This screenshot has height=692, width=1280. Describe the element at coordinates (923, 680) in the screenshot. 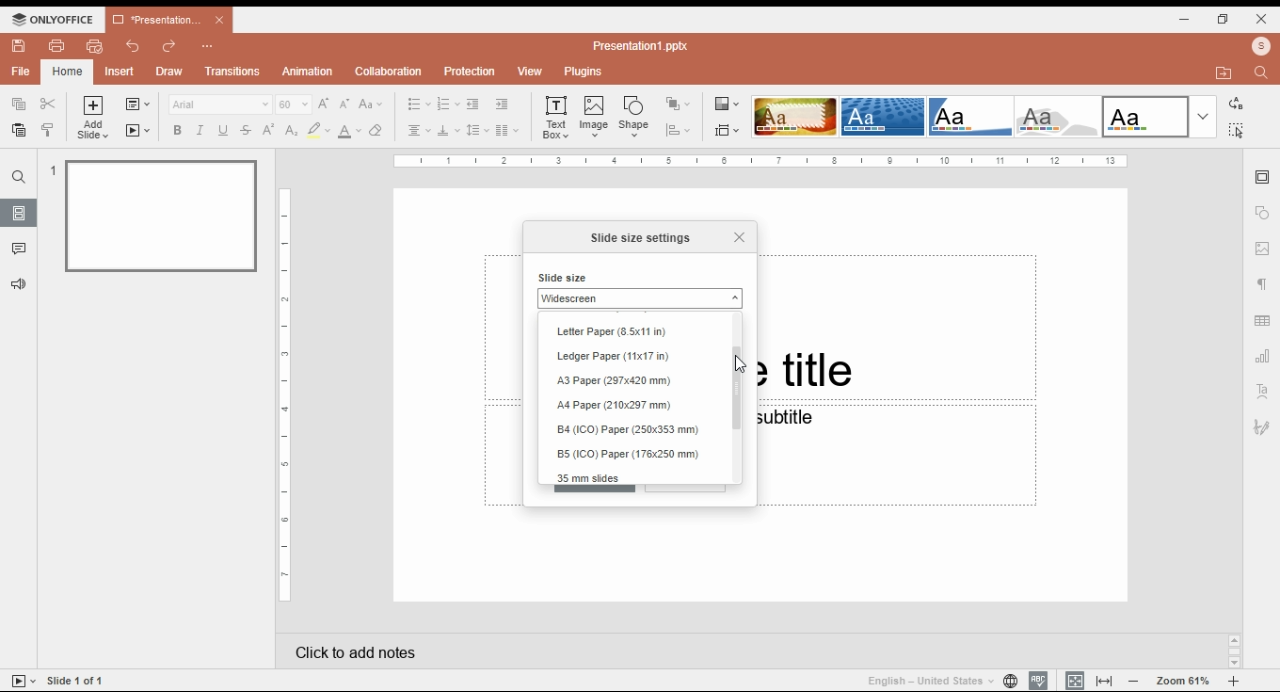

I see `English - United States` at that location.